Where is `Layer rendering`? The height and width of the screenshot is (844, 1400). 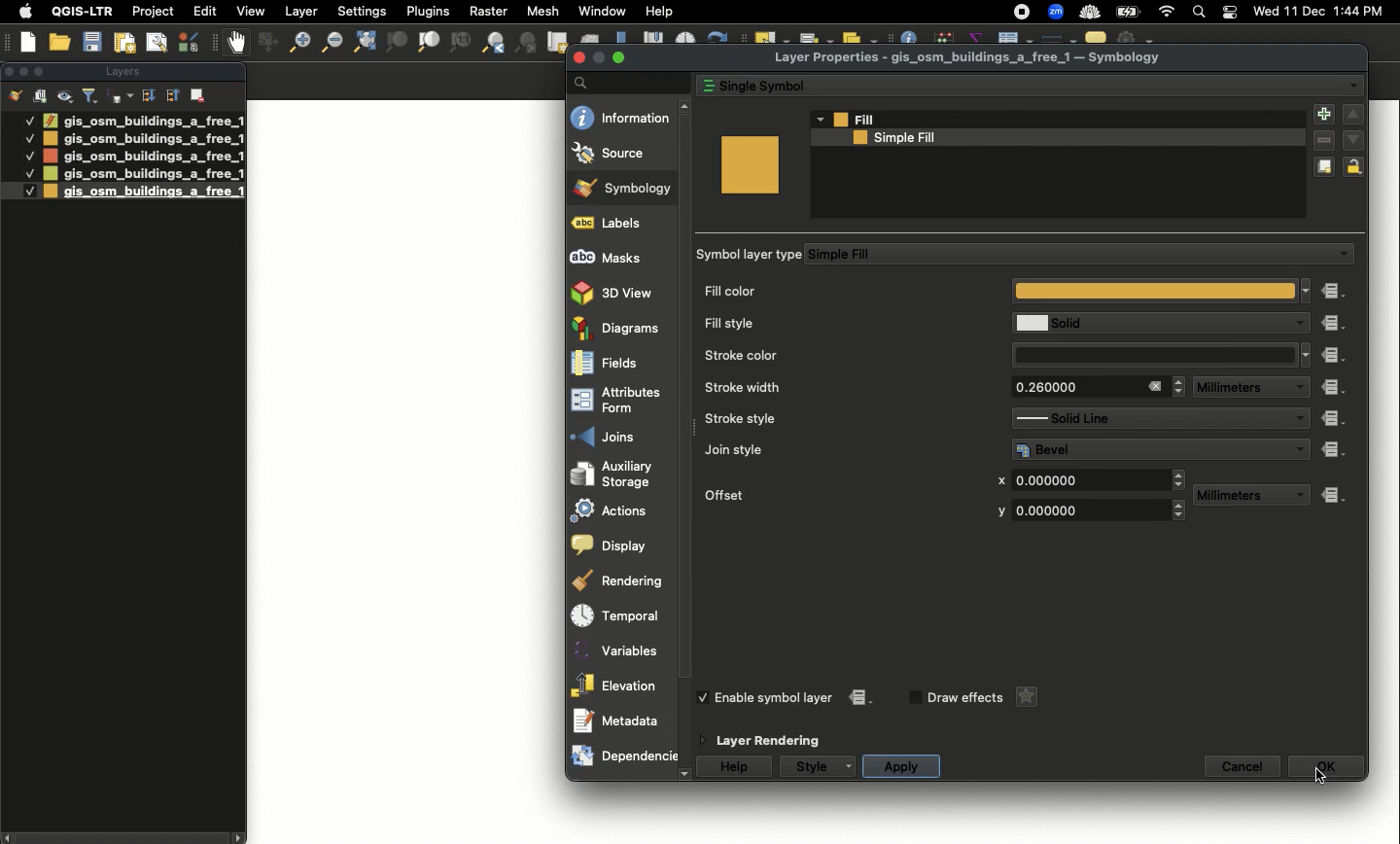
Layer rendering is located at coordinates (775, 741).